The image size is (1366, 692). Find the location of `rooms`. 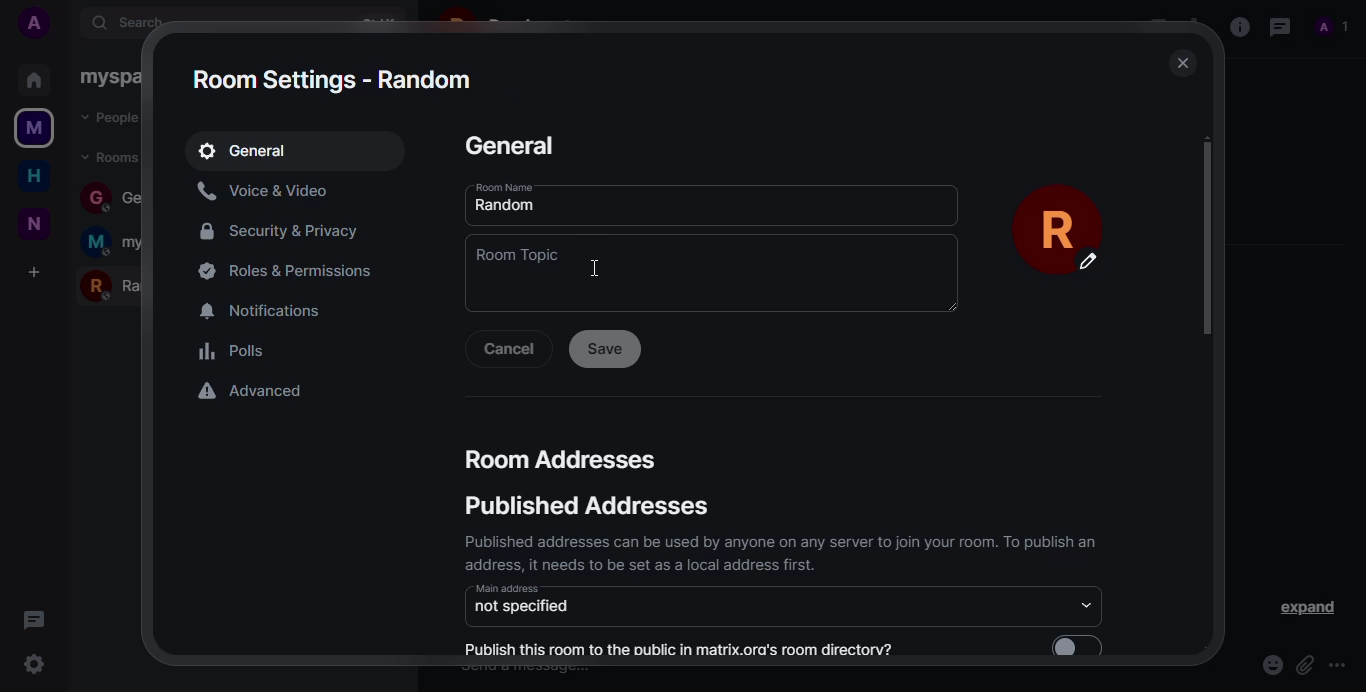

rooms is located at coordinates (113, 156).